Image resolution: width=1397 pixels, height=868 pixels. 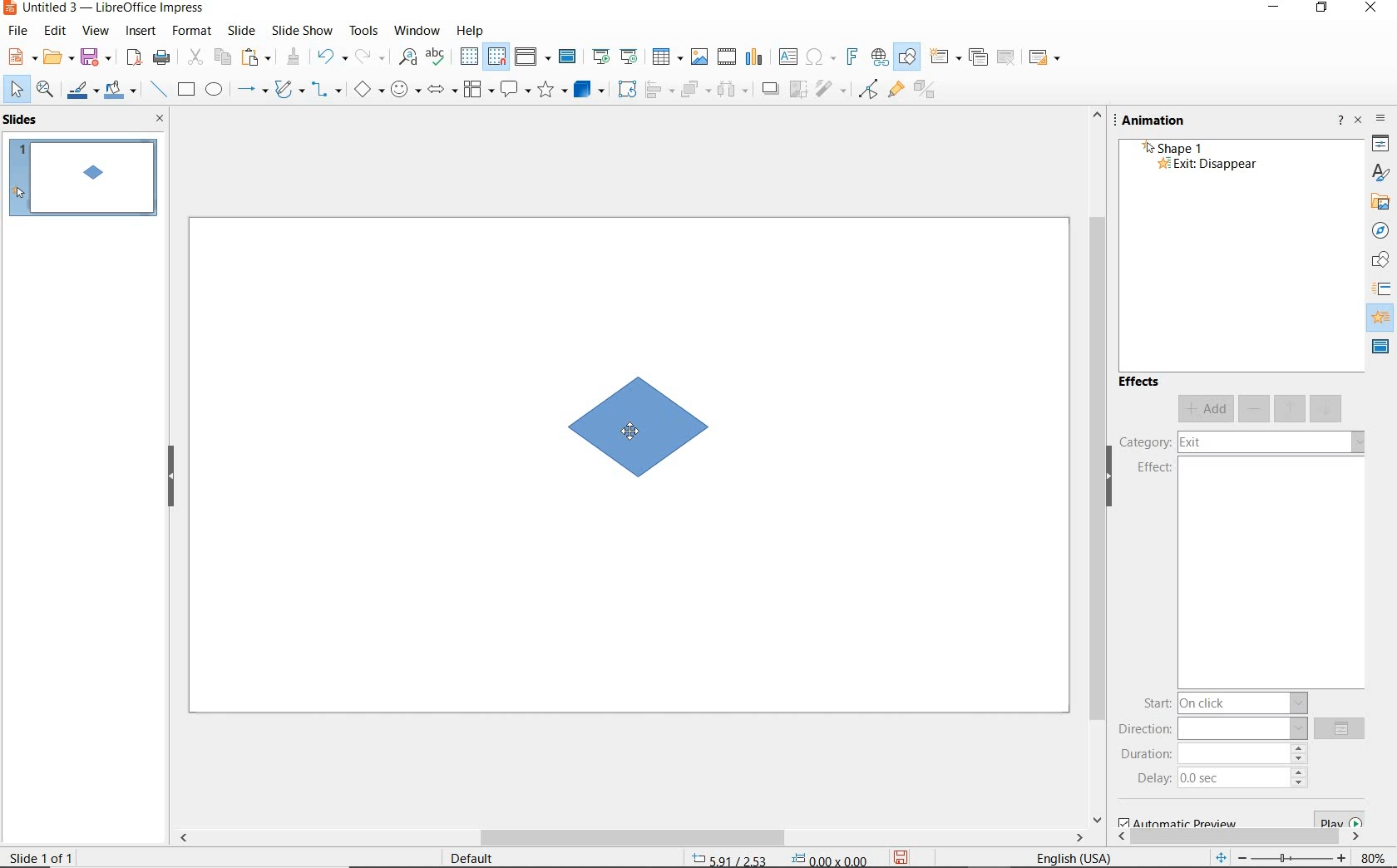 What do you see at coordinates (639, 835) in the screenshot?
I see `scrollbar` at bounding box center [639, 835].